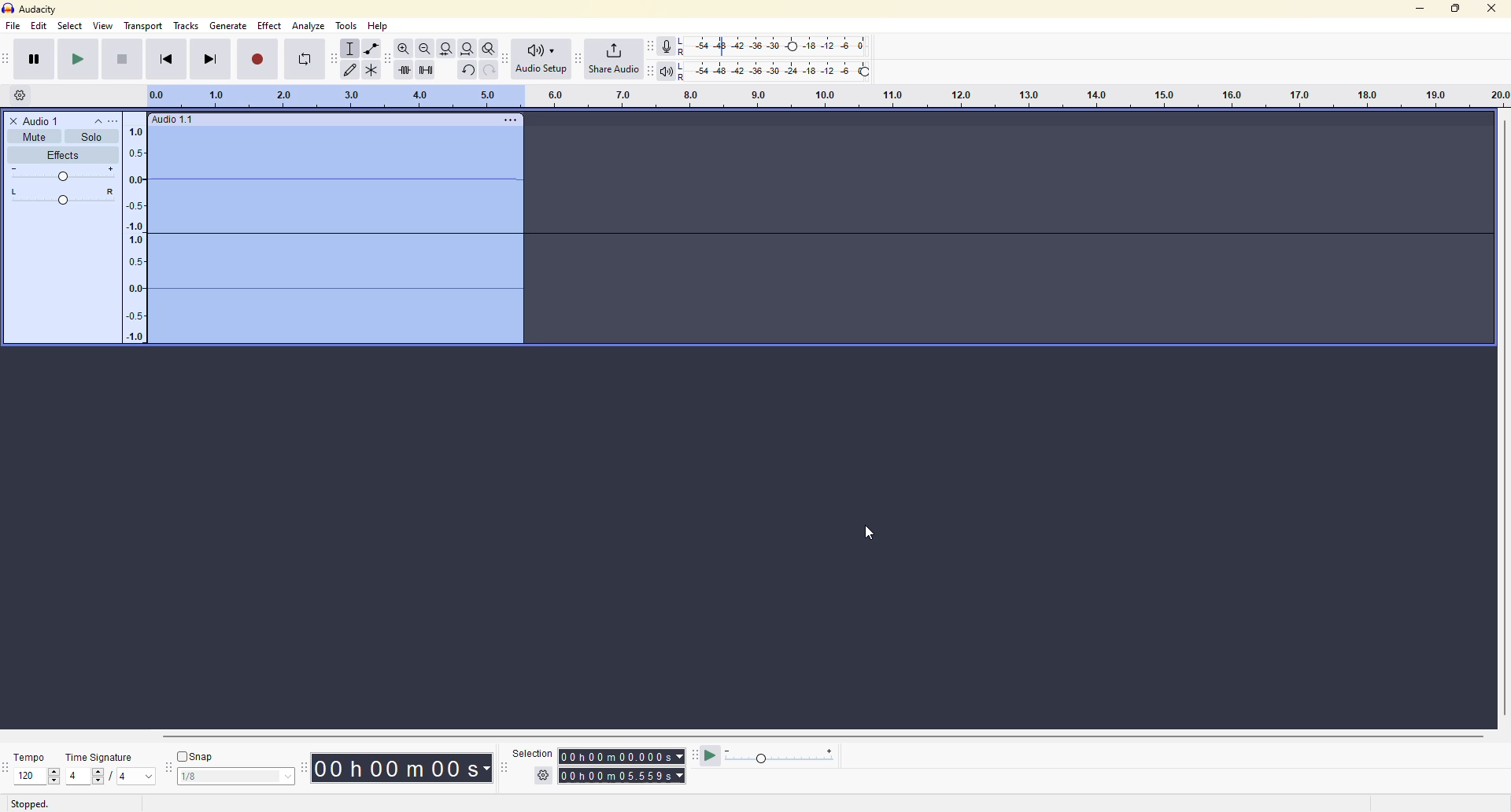  What do you see at coordinates (54, 781) in the screenshot?
I see `down` at bounding box center [54, 781].